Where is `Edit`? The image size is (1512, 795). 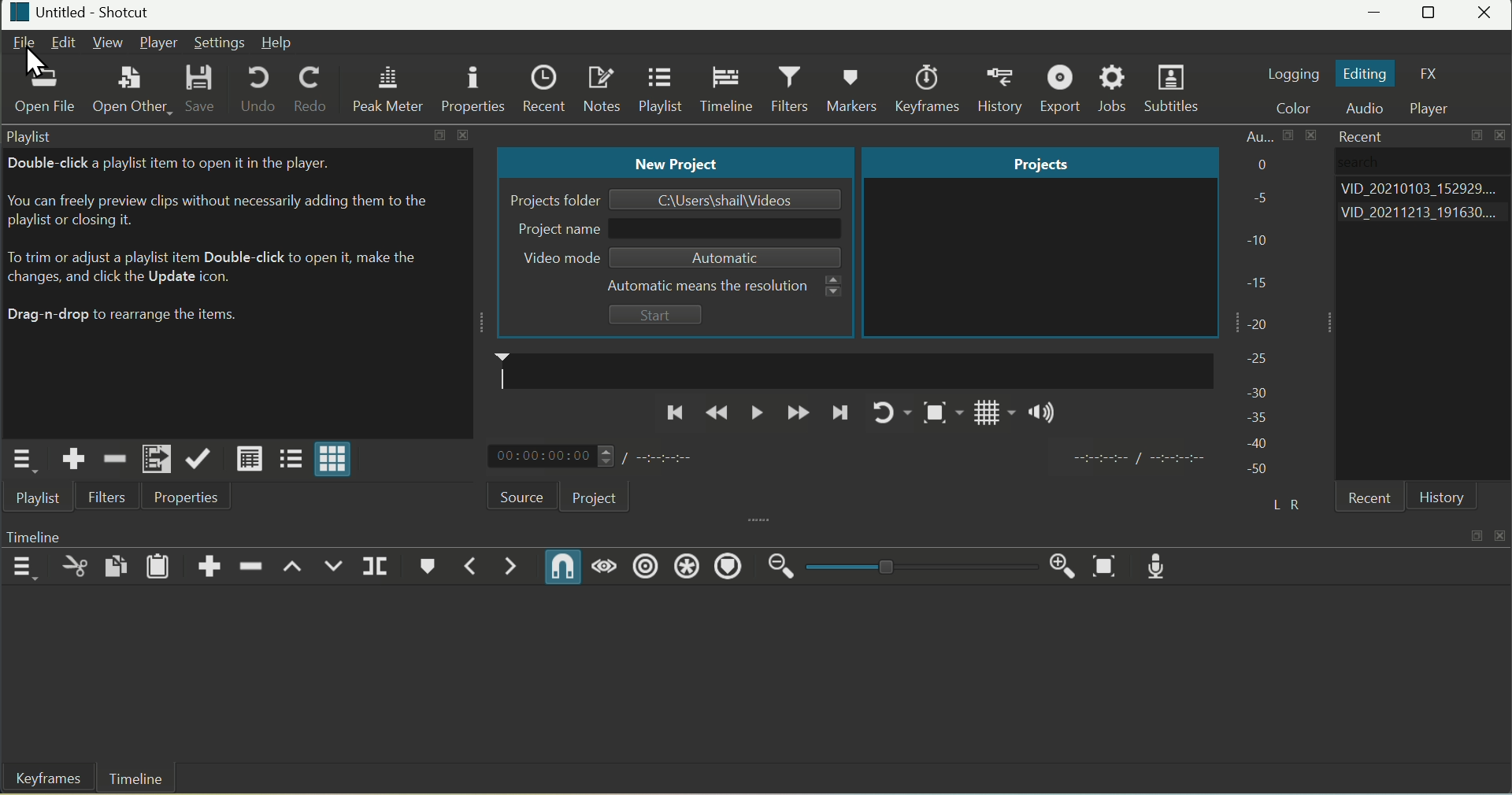
Edit is located at coordinates (65, 42).